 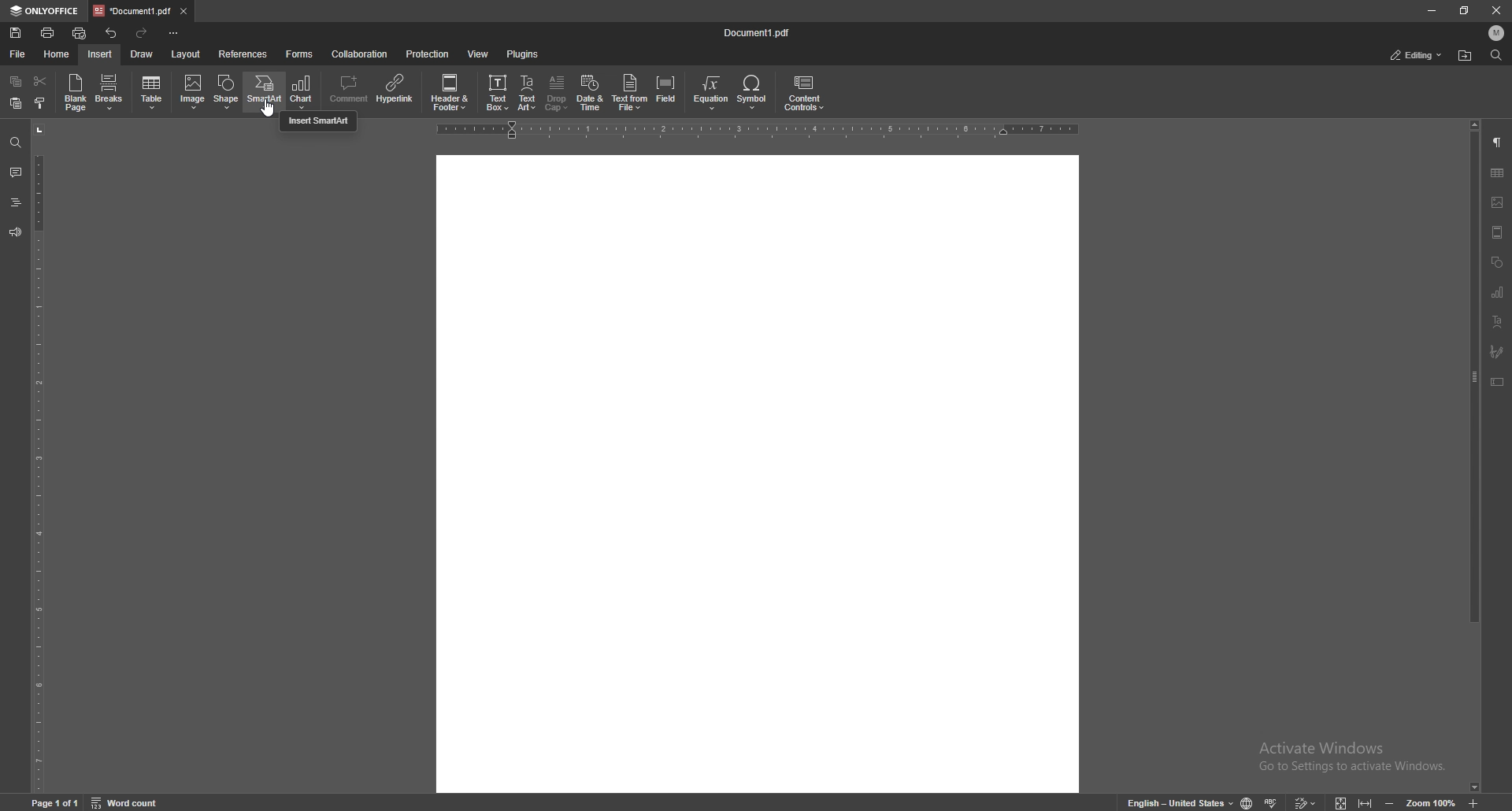 What do you see at coordinates (450, 91) in the screenshot?
I see `header and footer` at bounding box center [450, 91].